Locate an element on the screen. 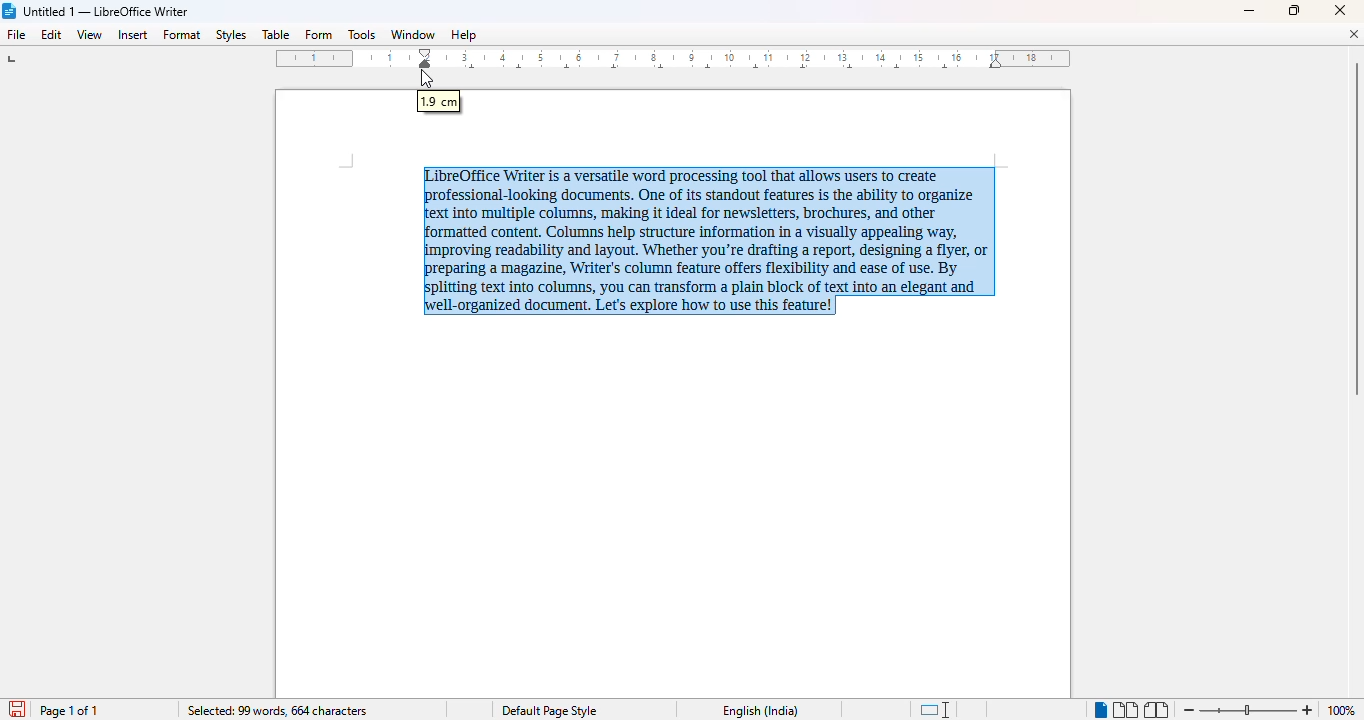 The image size is (1364, 720). maximize is located at coordinates (1294, 10).